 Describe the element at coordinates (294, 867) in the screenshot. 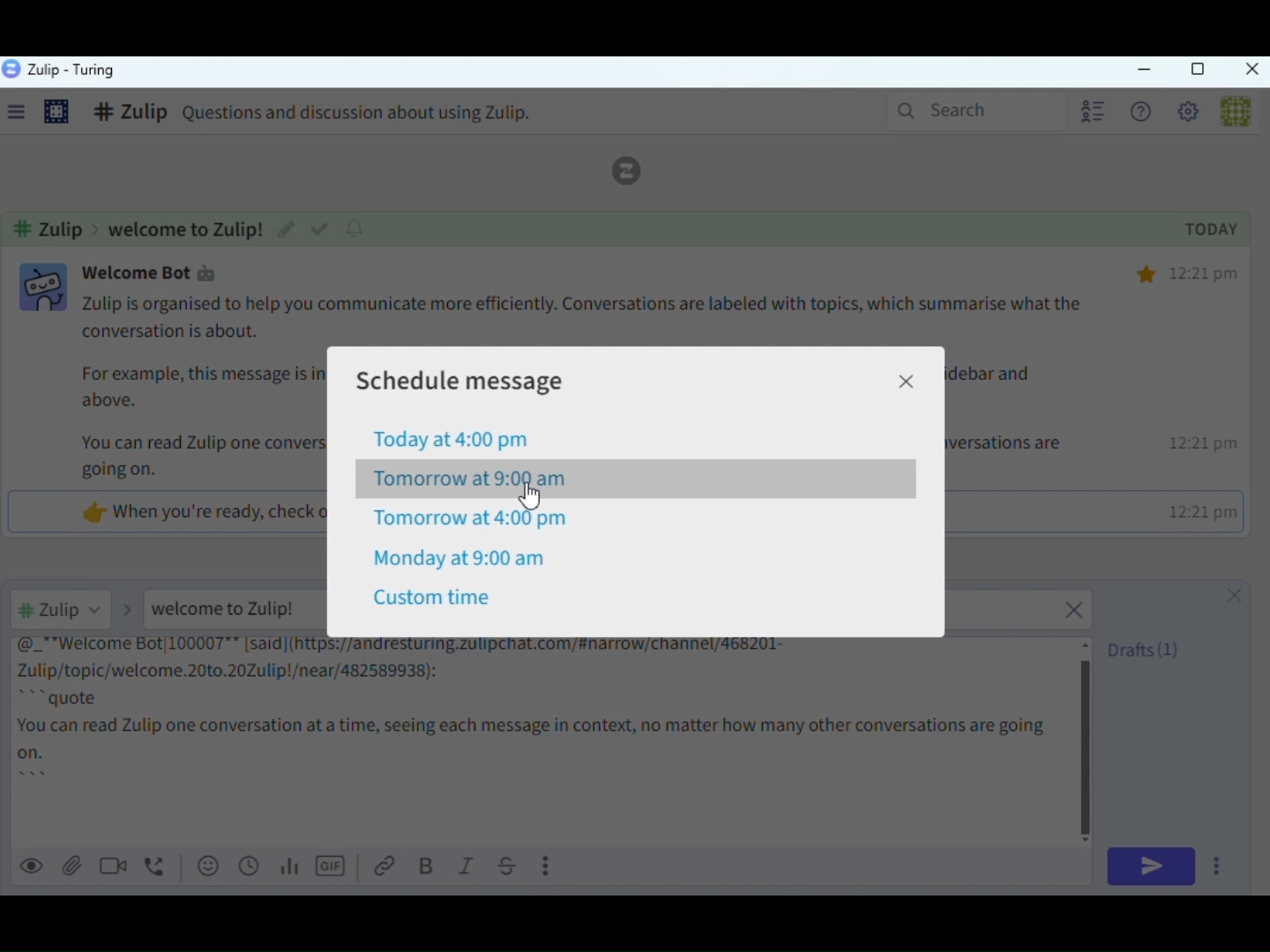

I see `Stats` at that location.